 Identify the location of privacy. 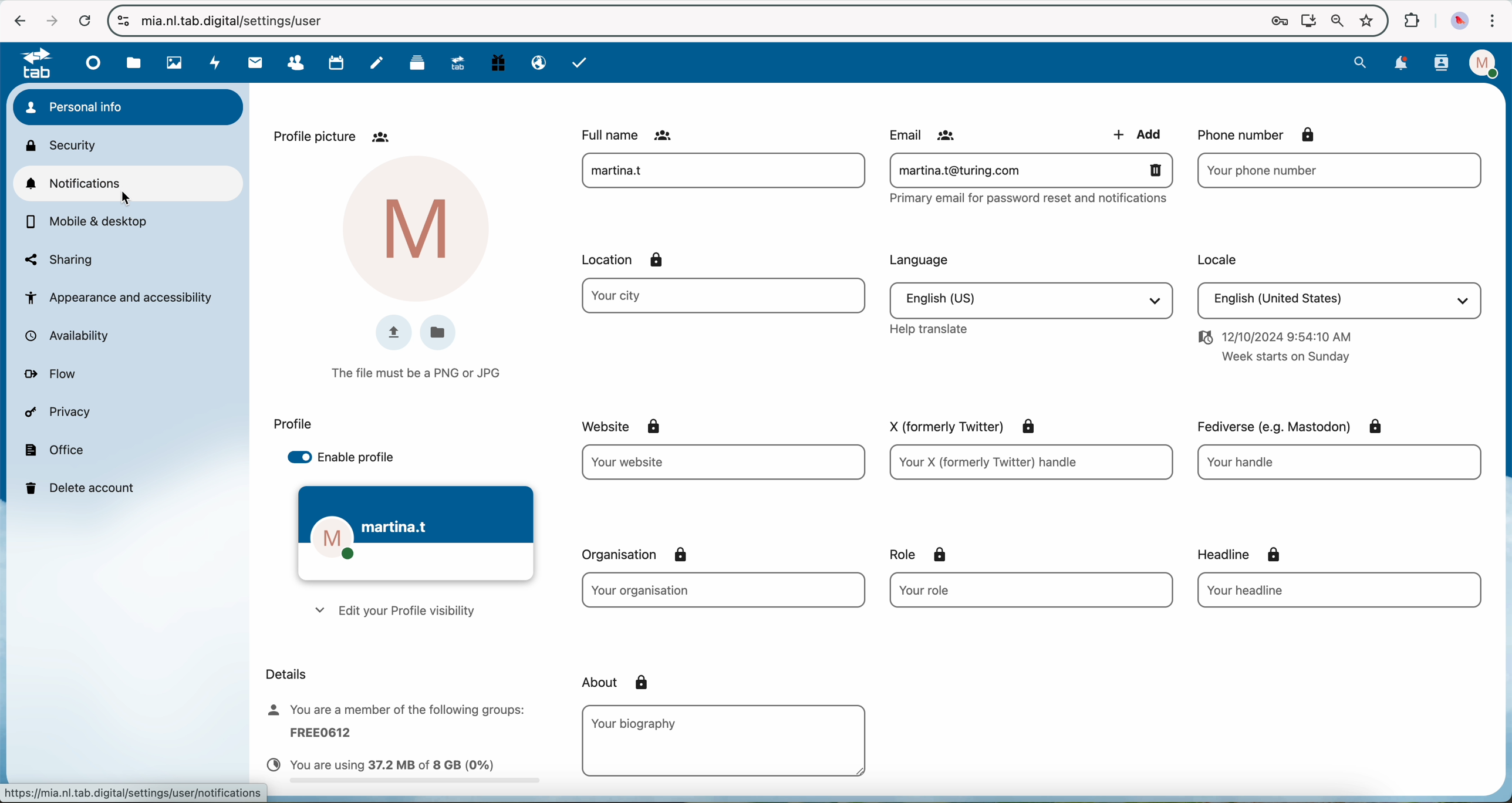
(61, 414).